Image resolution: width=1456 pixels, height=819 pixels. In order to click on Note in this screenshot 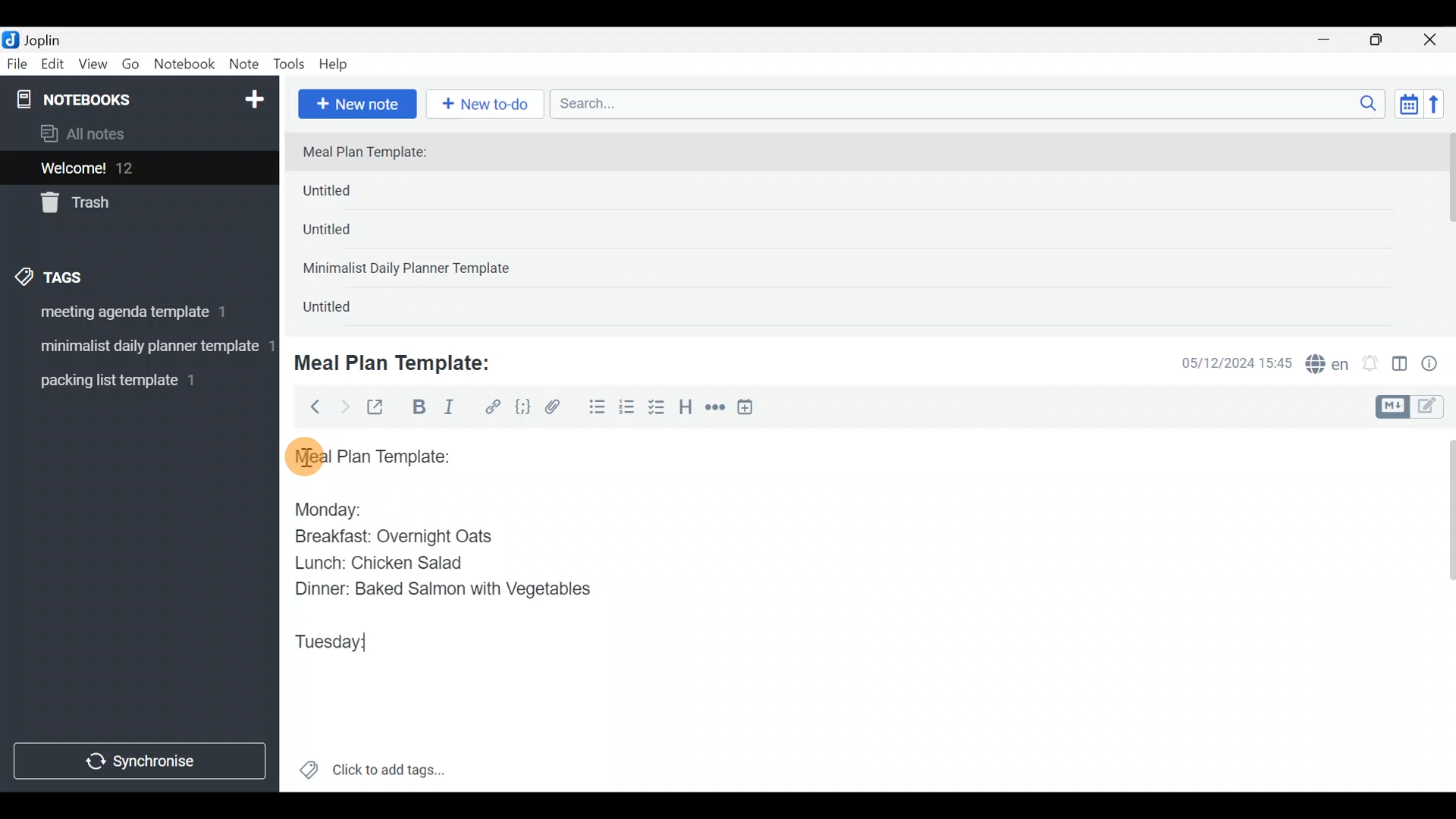, I will do `click(247, 65)`.